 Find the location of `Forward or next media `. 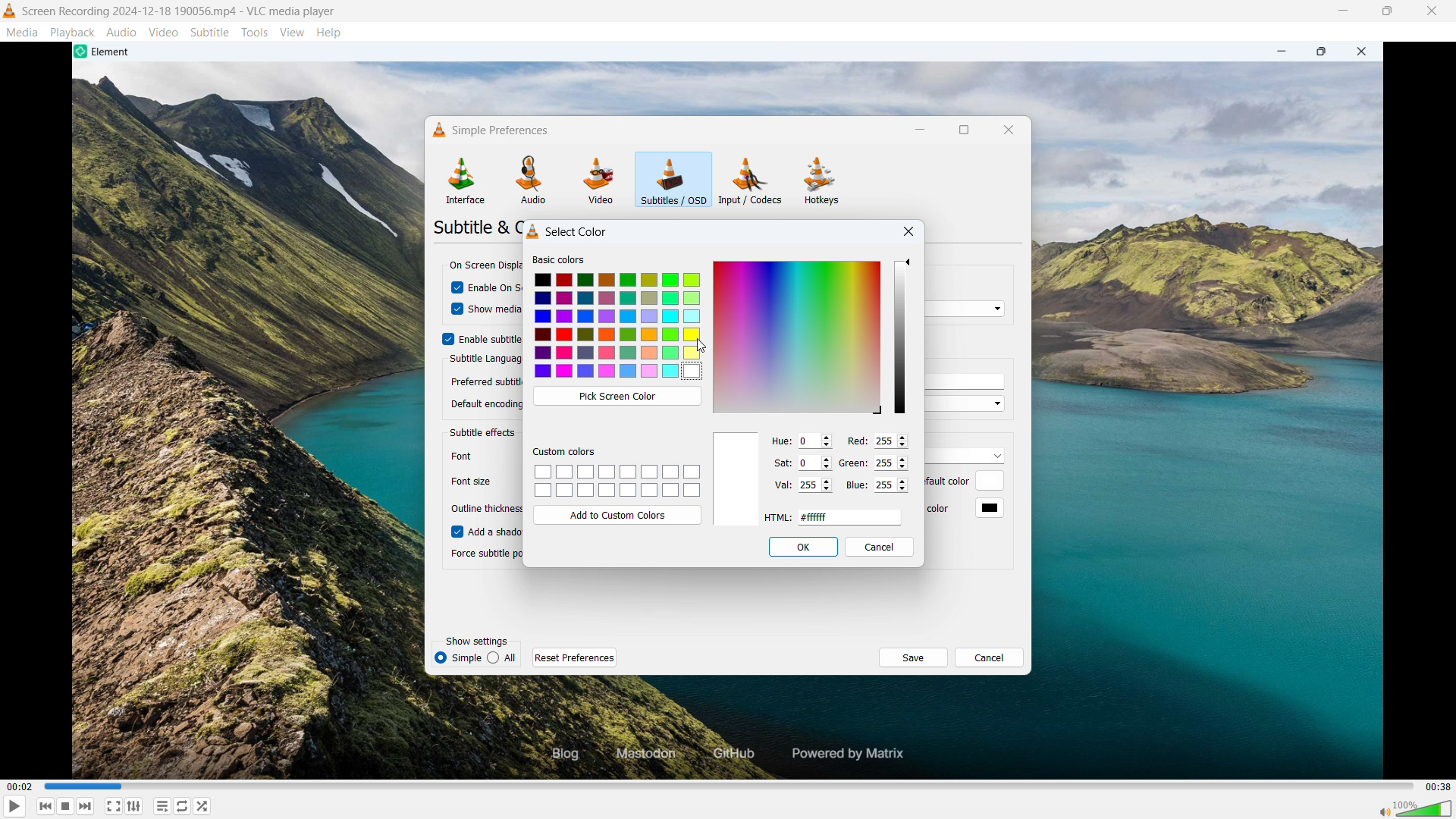

Forward or next media  is located at coordinates (66, 806).